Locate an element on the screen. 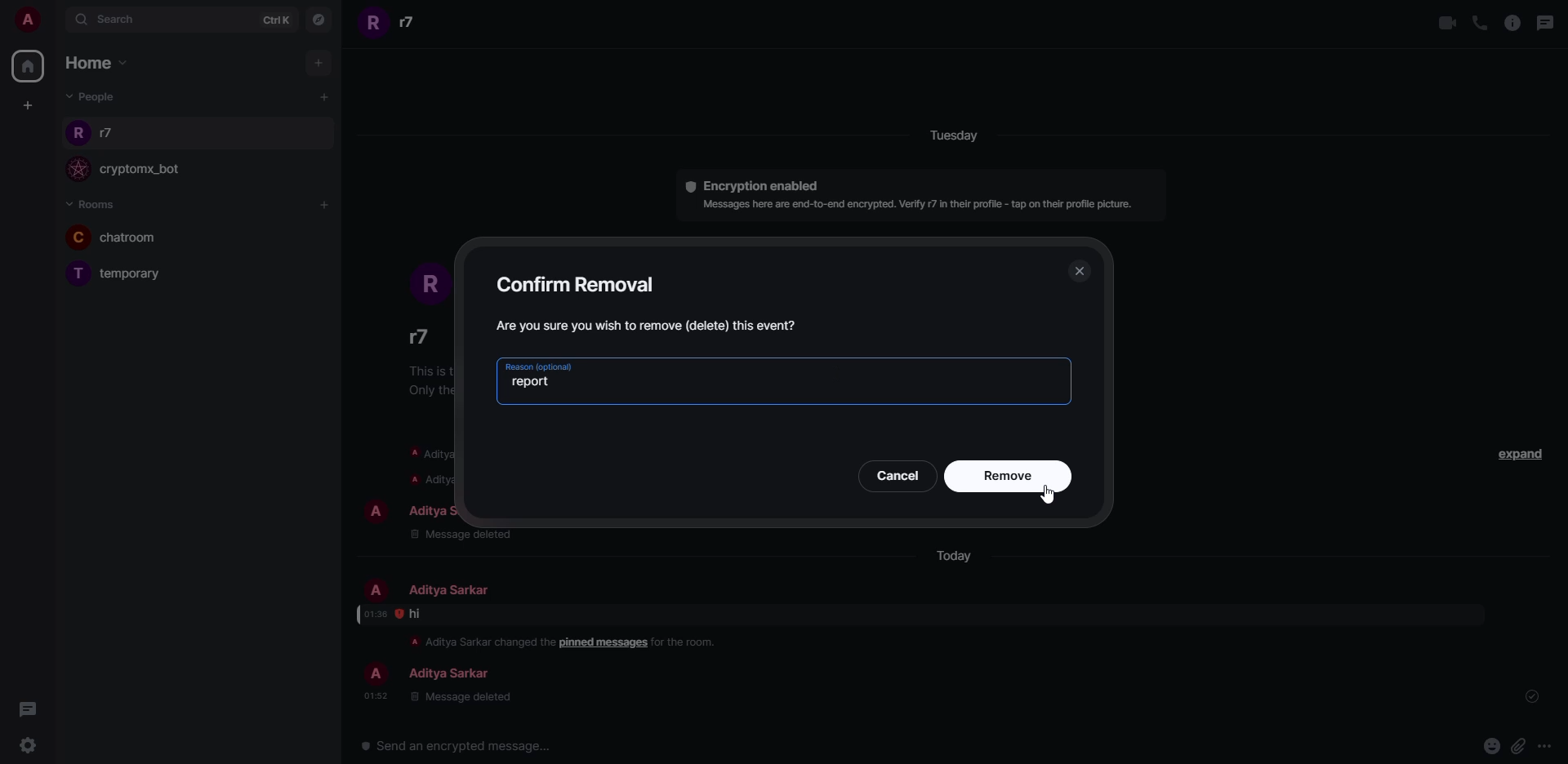  report is located at coordinates (532, 382).